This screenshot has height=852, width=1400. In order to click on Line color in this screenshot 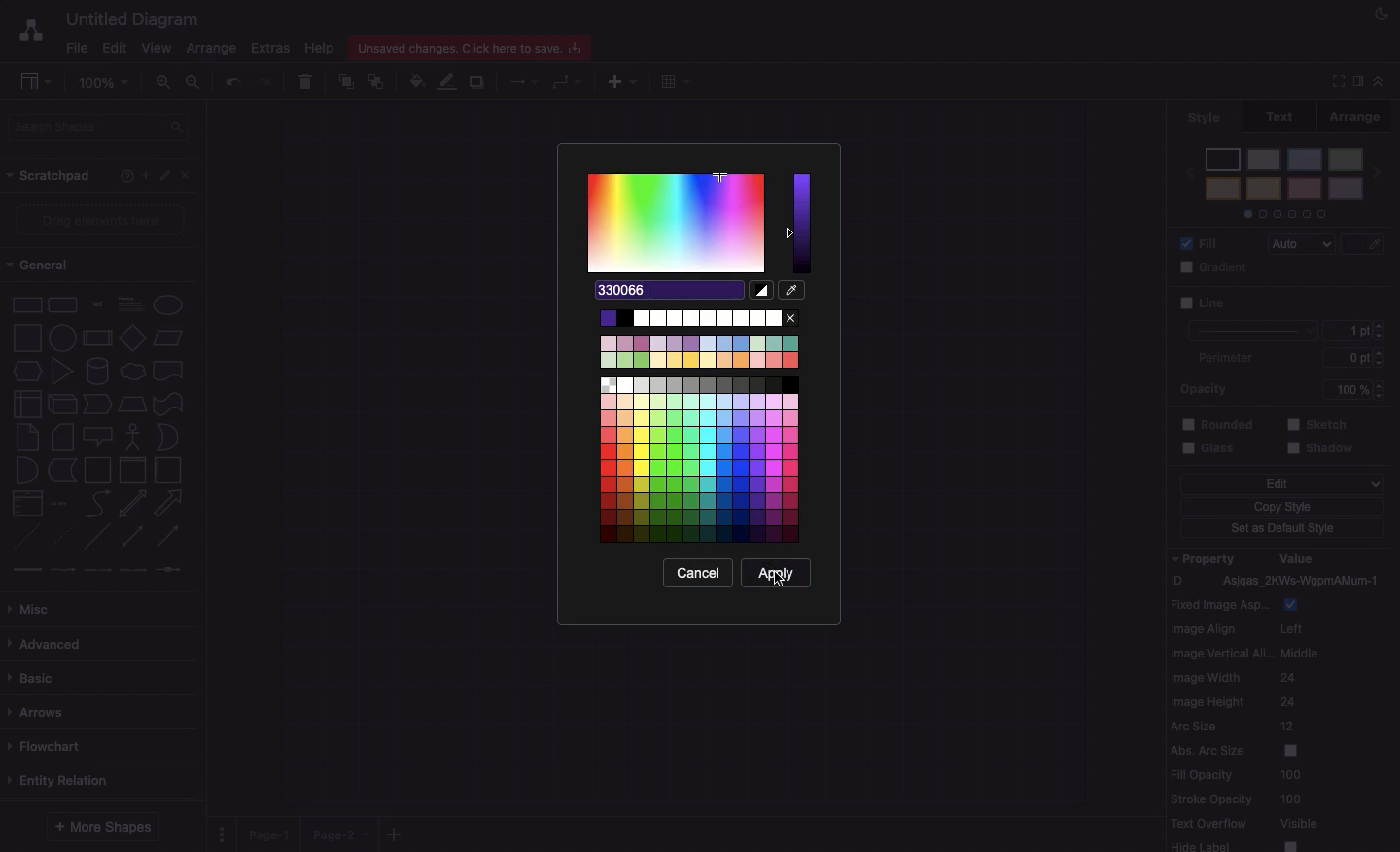, I will do `click(1367, 240)`.